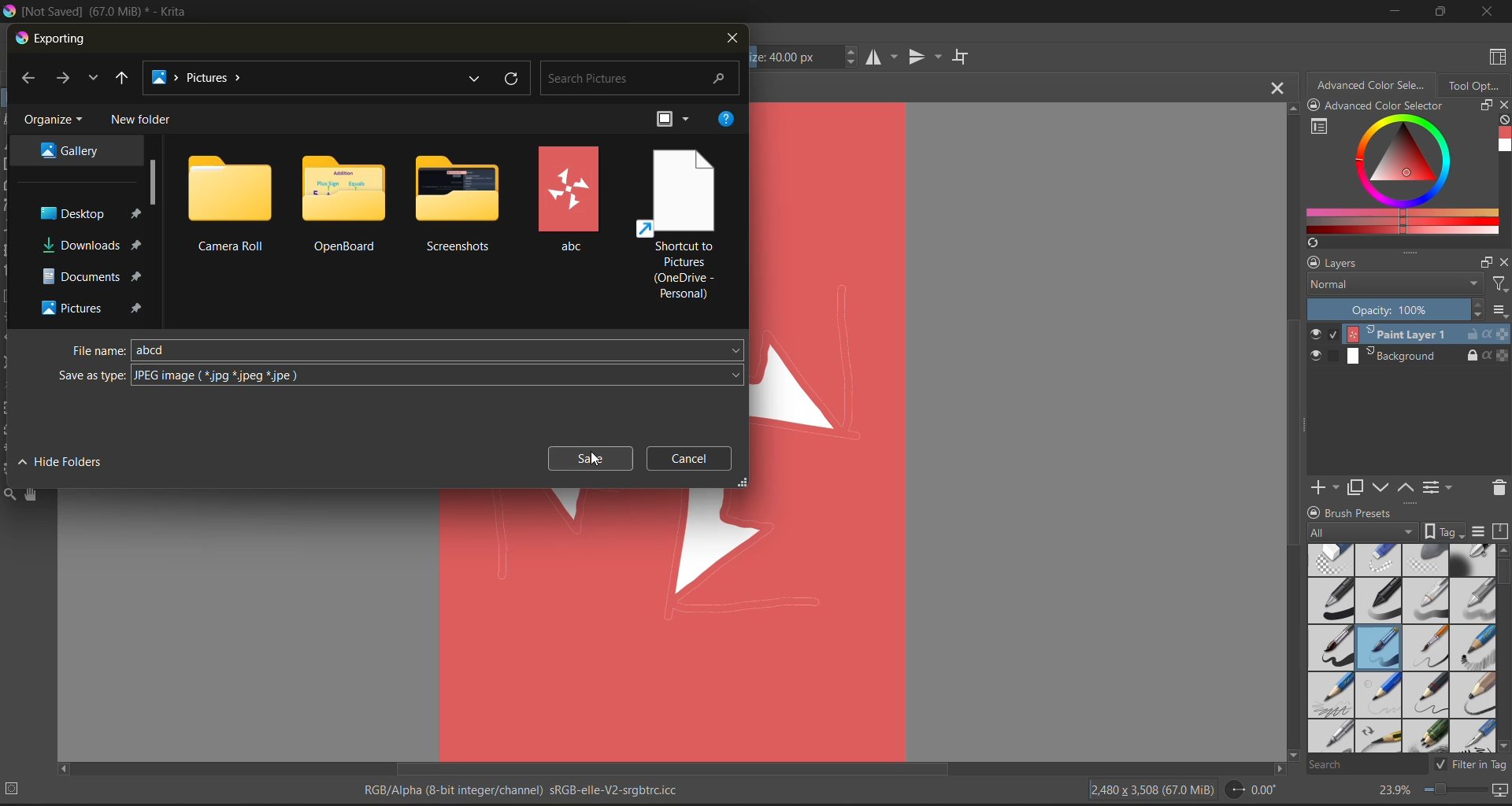 This screenshot has width=1512, height=806. What do you see at coordinates (1384, 487) in the screenshot?
I see `mask down` at bounding box center [1384, 487].